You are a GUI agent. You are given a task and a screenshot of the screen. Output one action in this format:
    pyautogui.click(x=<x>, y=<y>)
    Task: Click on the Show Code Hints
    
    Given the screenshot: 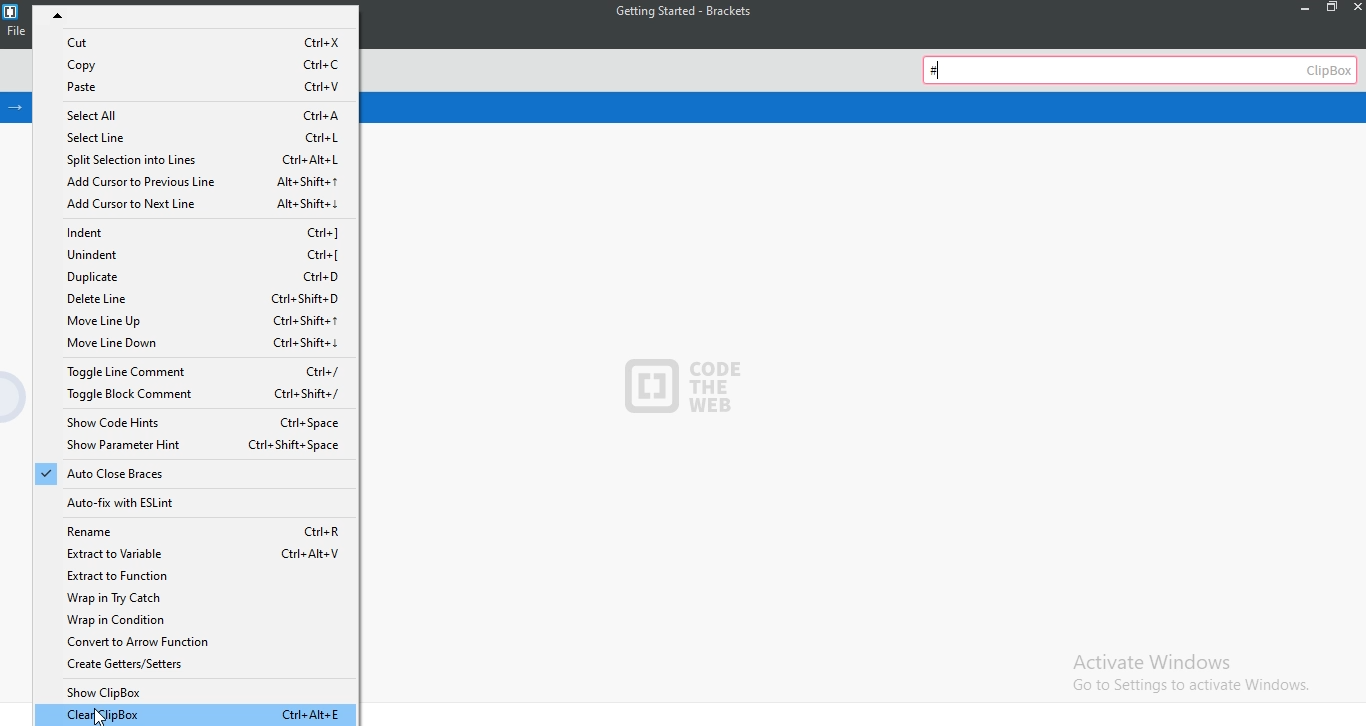 What is the action you would take?
    pyautogui.click(x=196, y=421)
    